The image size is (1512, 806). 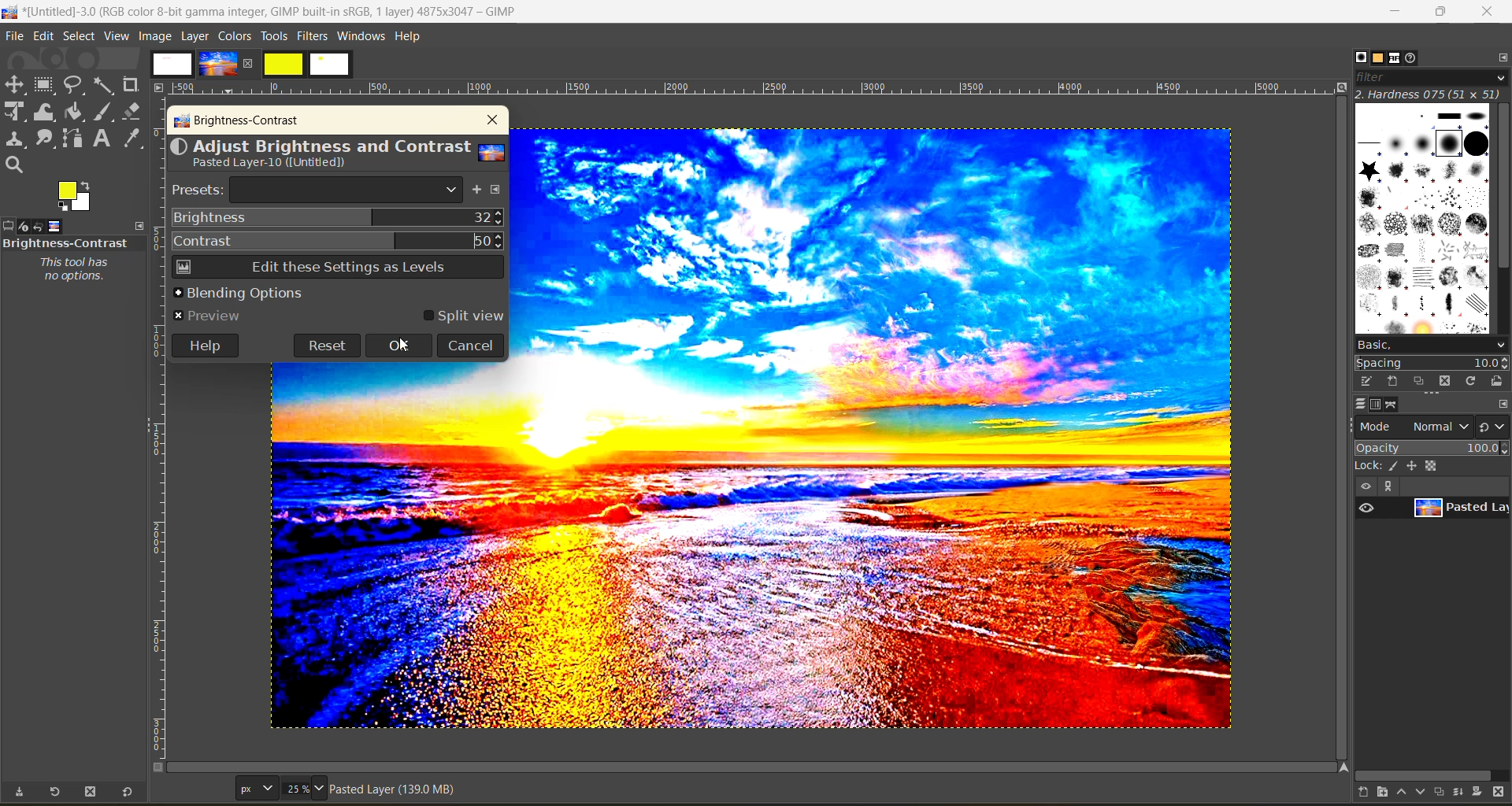 What do you see at coordinates (21, 227) in the screenshot?
I see `device status` at bounding box center [21, 227].